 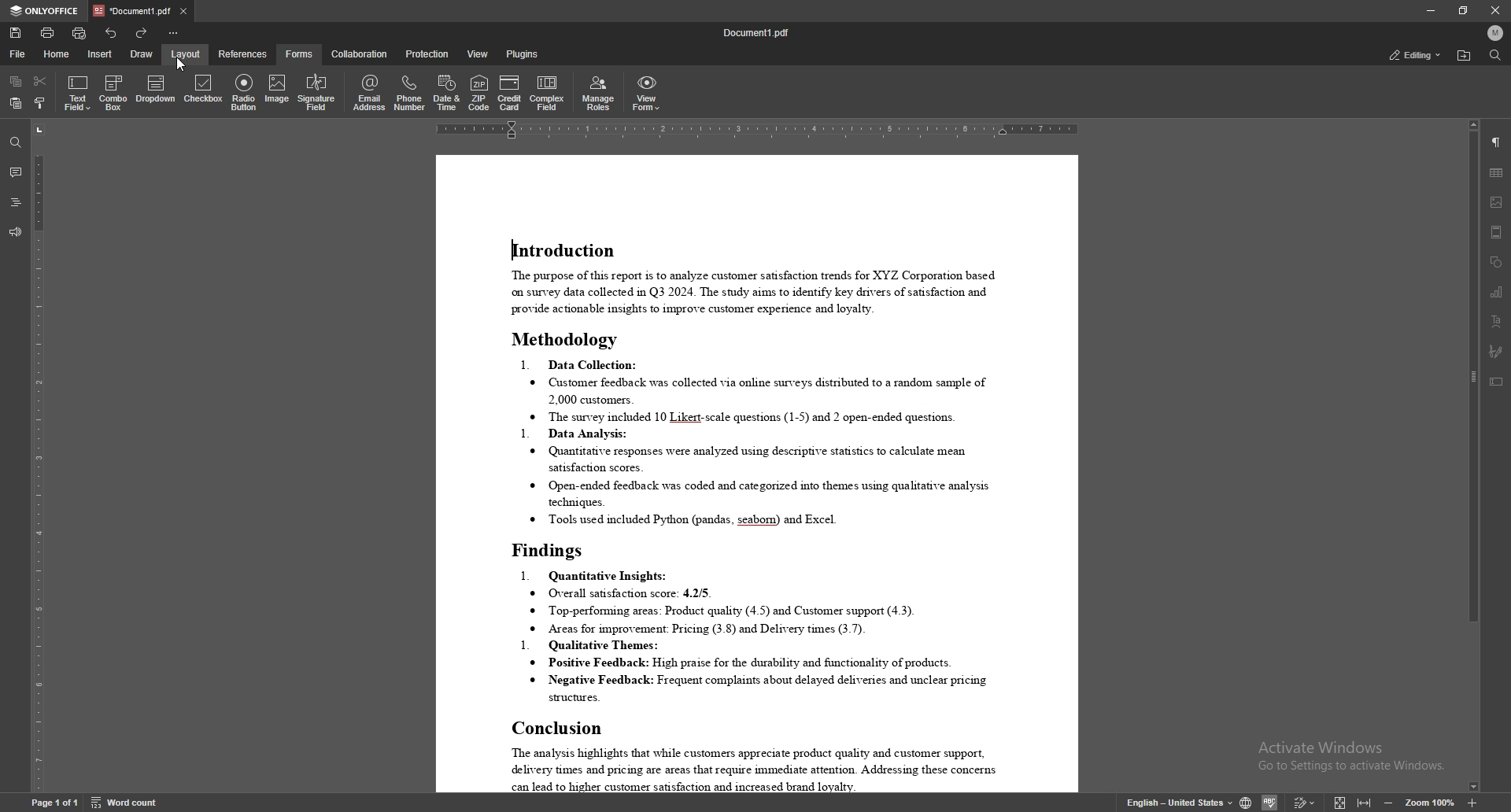 What do you see at coordinates (547, 94) in the screenshot?
I see `complex field` at bounding box center [547, 94].